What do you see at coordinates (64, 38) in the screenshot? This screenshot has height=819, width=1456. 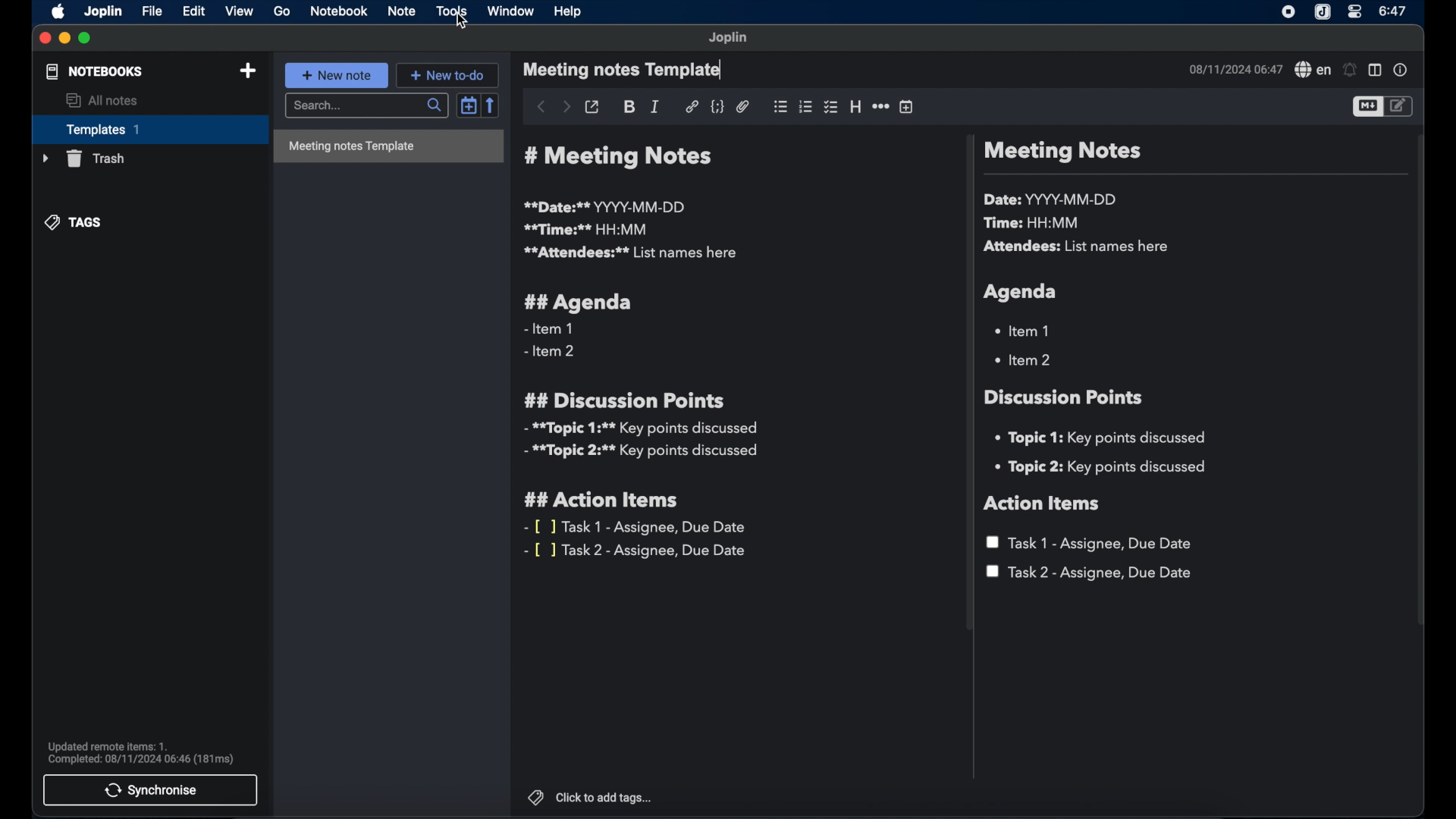 I see `minimize` at bounding box center [64, 38].